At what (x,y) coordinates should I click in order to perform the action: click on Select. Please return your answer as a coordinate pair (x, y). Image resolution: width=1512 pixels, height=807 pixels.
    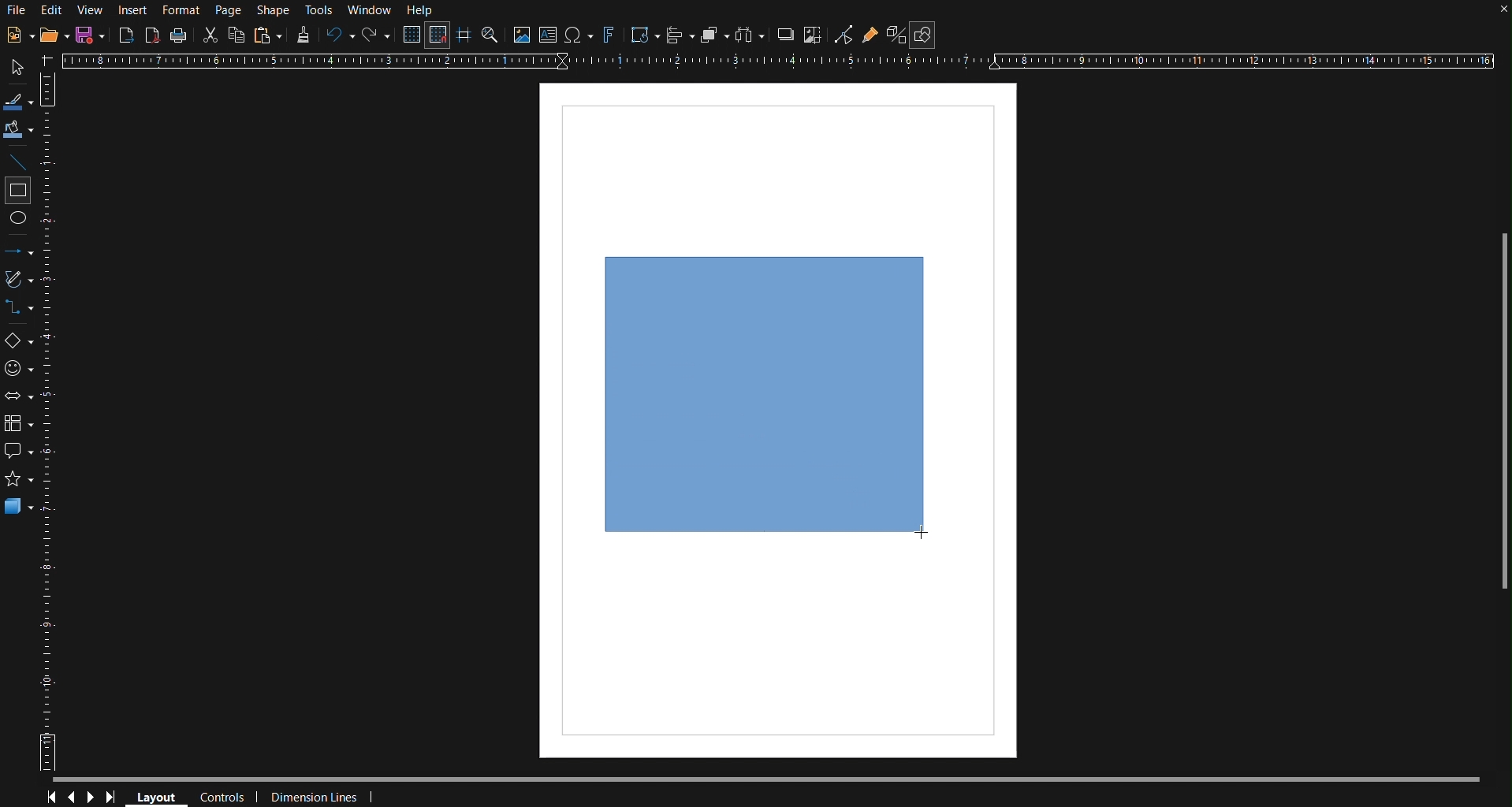
    Looking at the image, I should click on (18, 68).